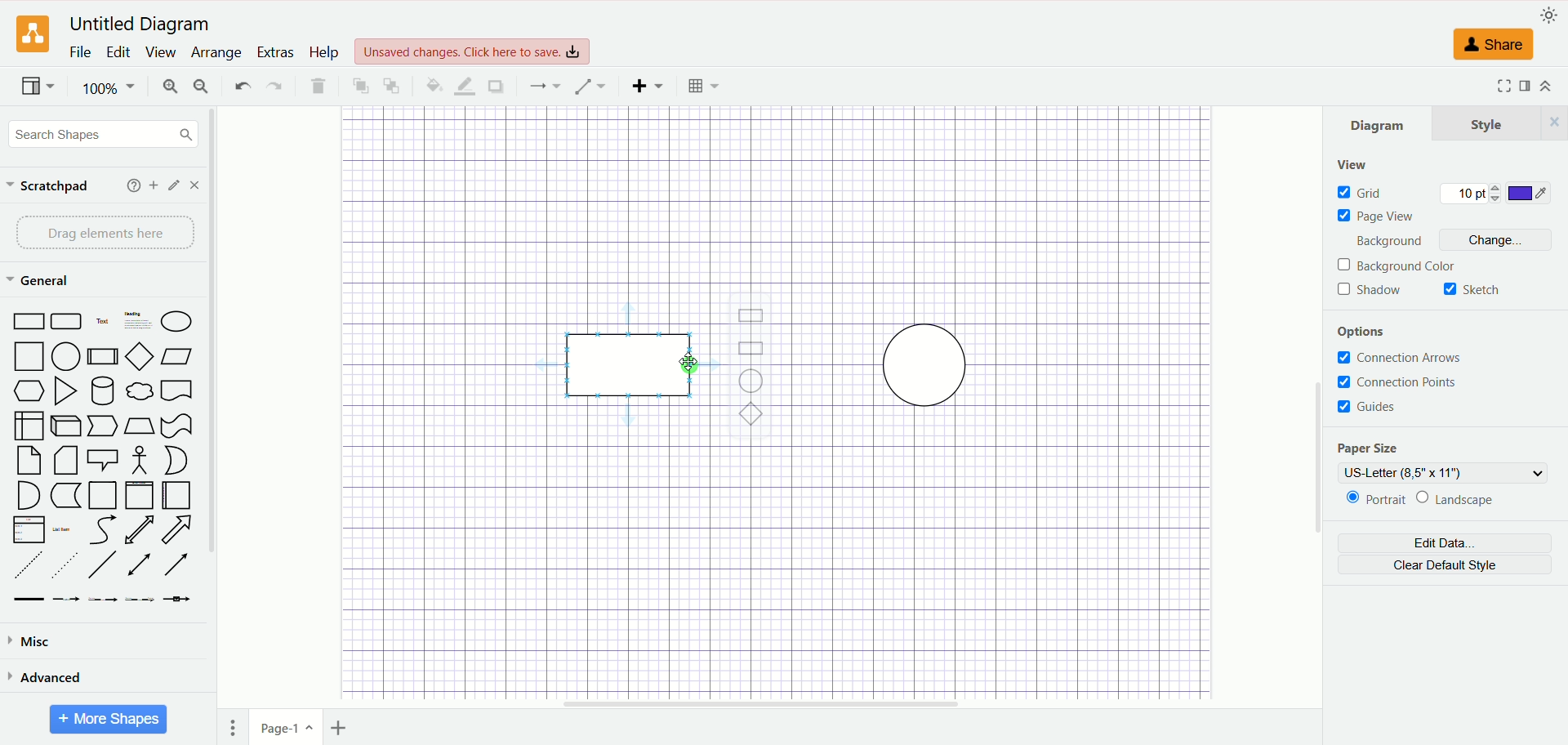 The image size is (1568, 745). I want to click on misc, so click(38, 640).